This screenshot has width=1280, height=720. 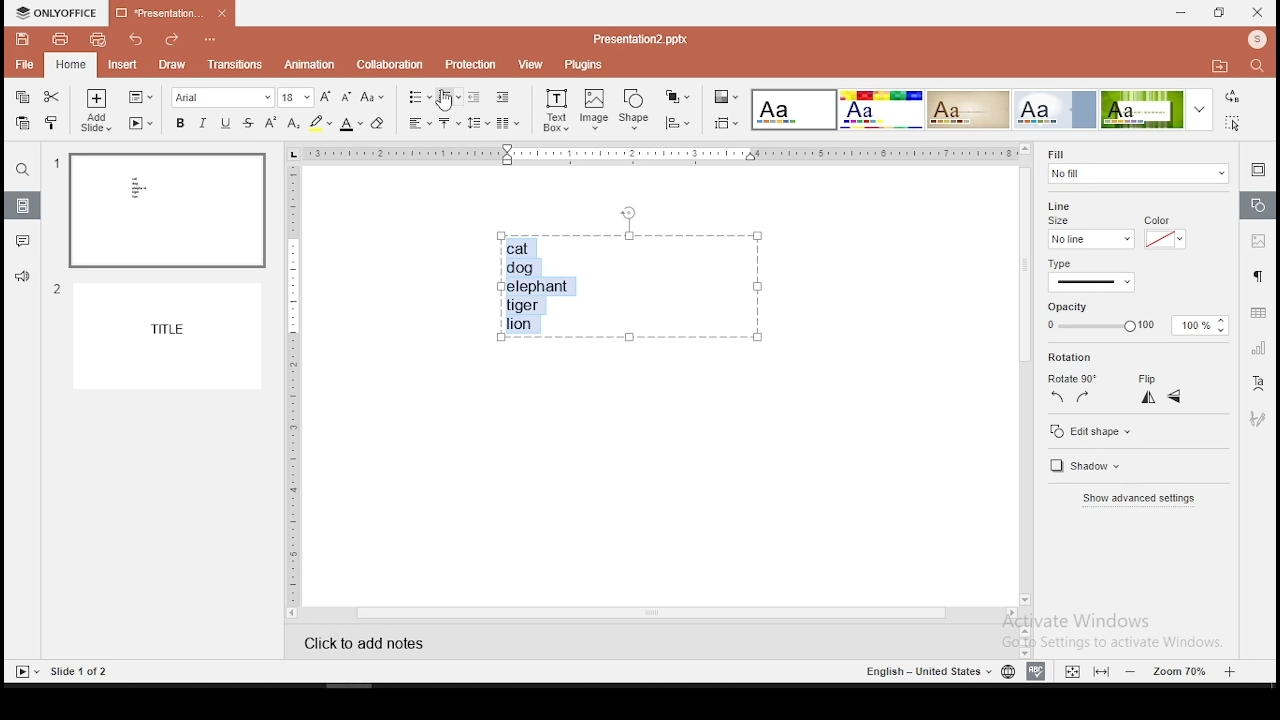 What do you see at coordinates (1004, 671) in the screenshot?
I see `language` at bounding box center [1004, 671].